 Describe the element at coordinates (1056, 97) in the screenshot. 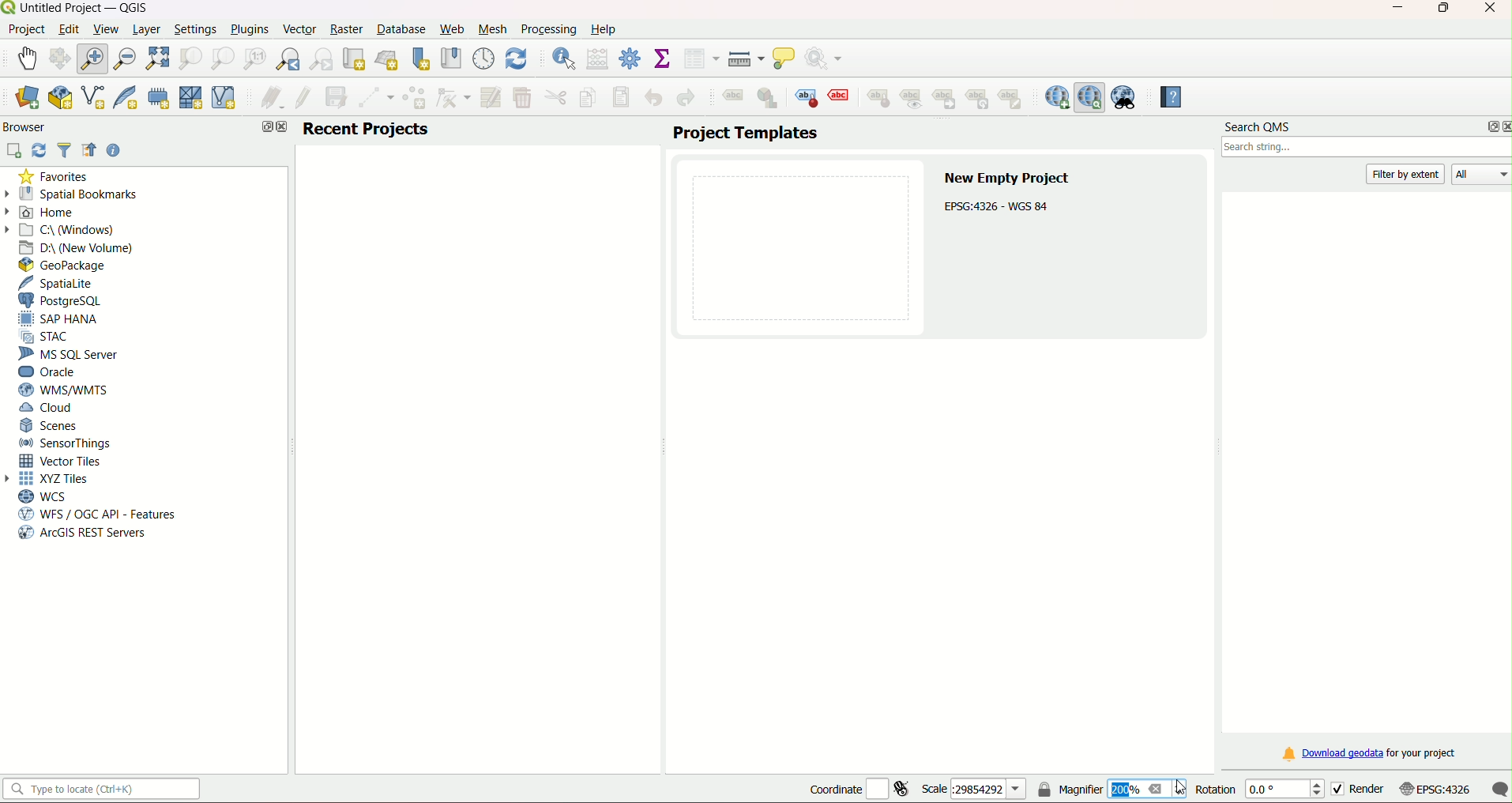

I see `quick map servies` at that location.